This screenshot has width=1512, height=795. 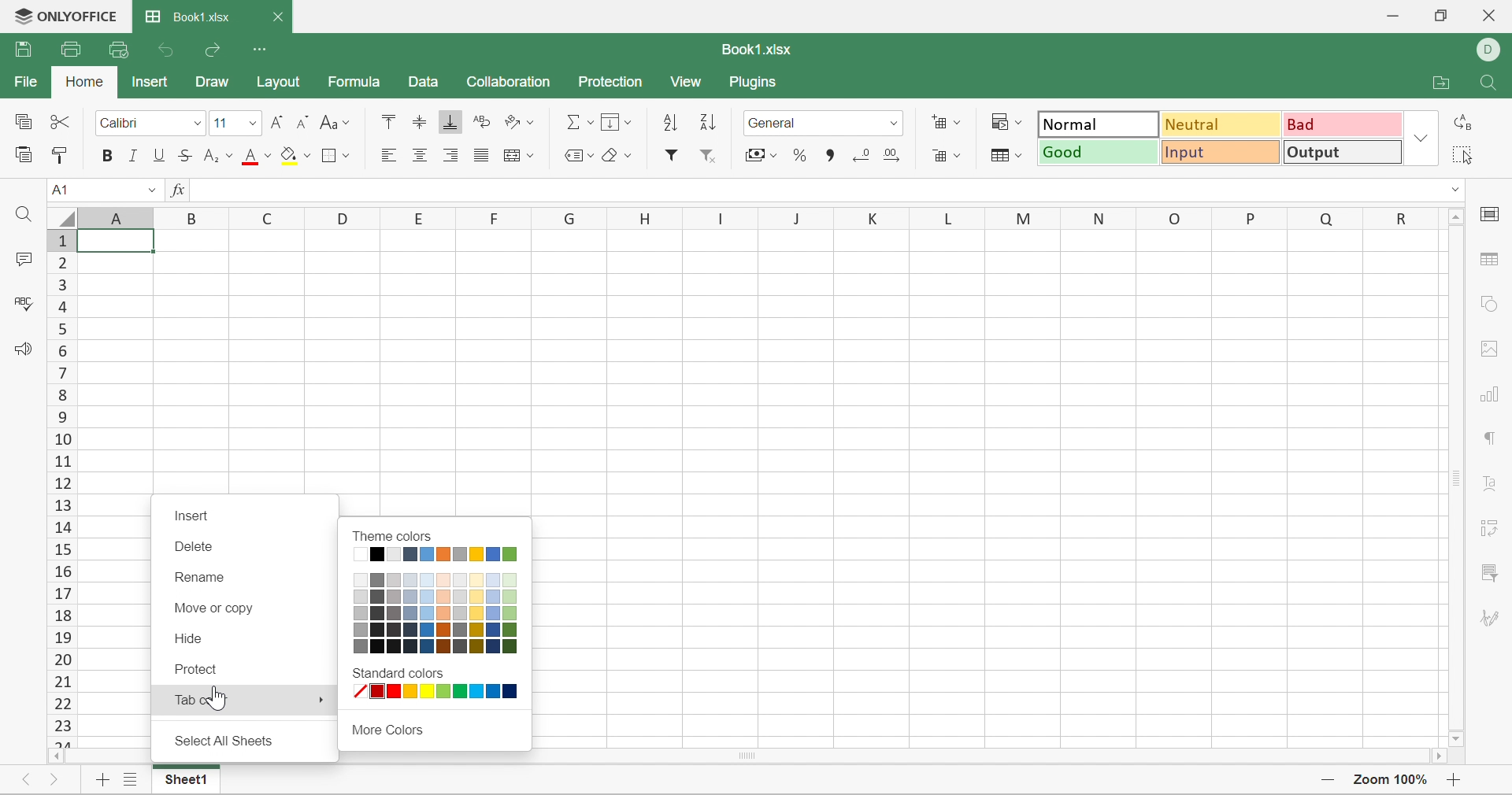 I want to click on Text art settings, so click(x=1491, y=483).